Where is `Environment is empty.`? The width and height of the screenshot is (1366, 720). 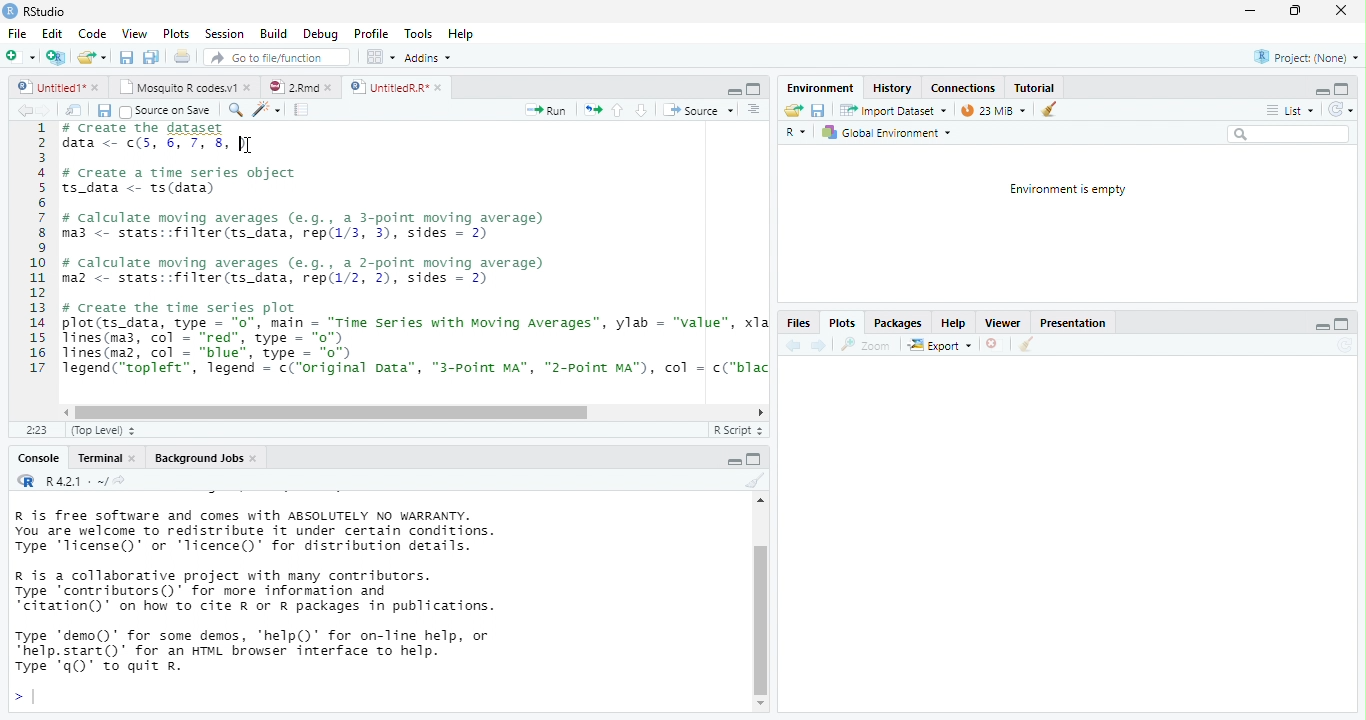 Environment is empty. is located at coordinates (1067, 190).